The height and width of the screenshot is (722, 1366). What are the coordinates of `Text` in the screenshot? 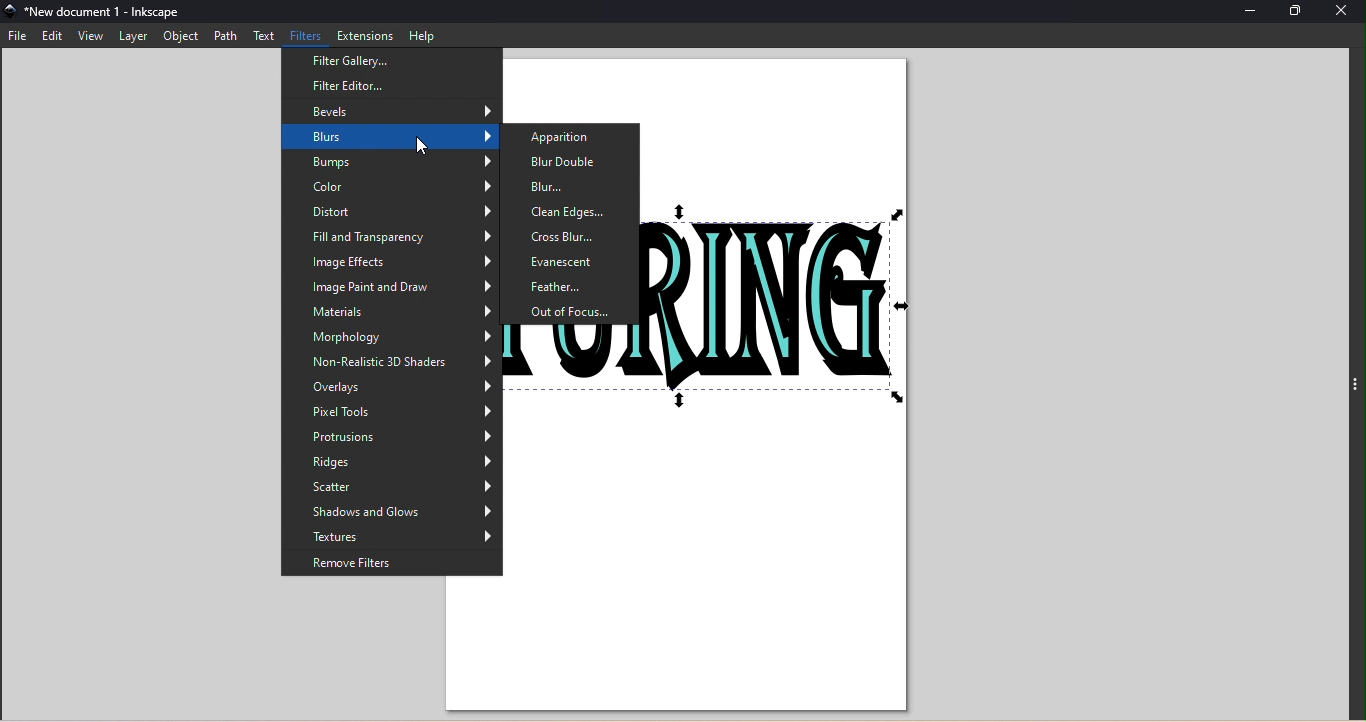 It's located at (266, 36).